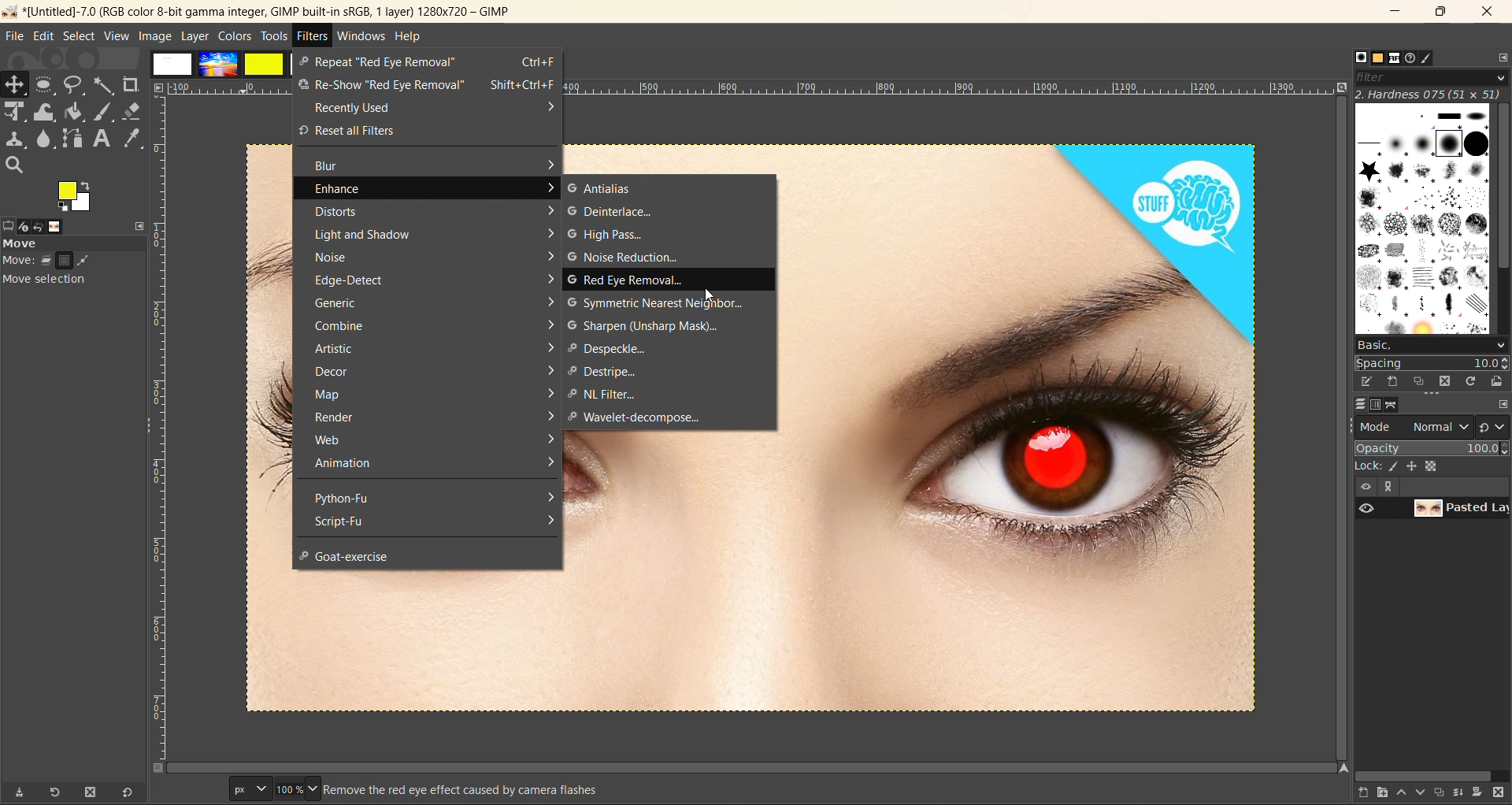 The height and width of the screenshot is (805, 1512). What do you see at coordinates (1432, 448) in the screenshot?
I see `opacity` at bounding box center [1432, 448].